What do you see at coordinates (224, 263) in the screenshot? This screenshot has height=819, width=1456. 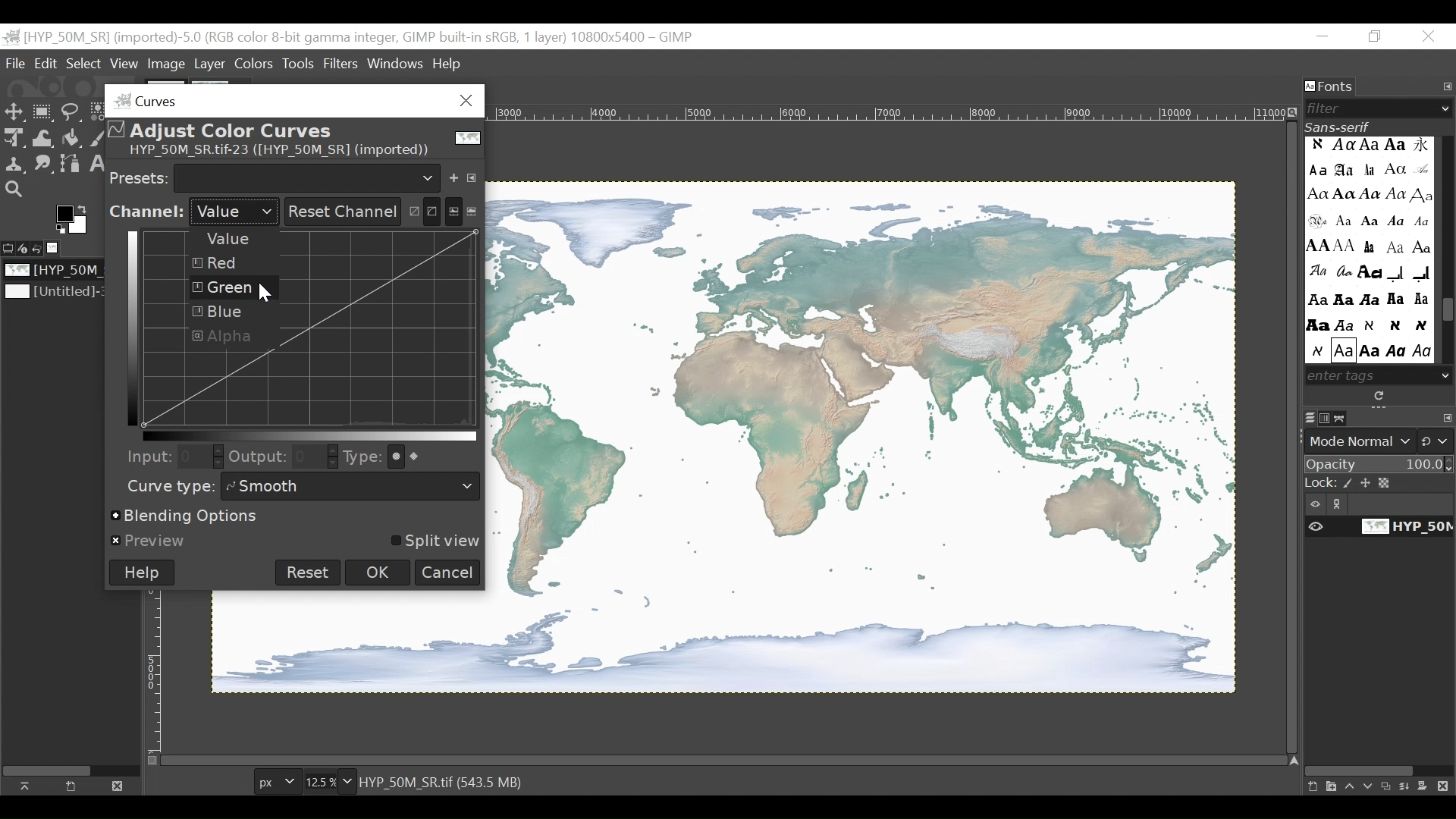 I see `Red` at bounding box center [224, 263].